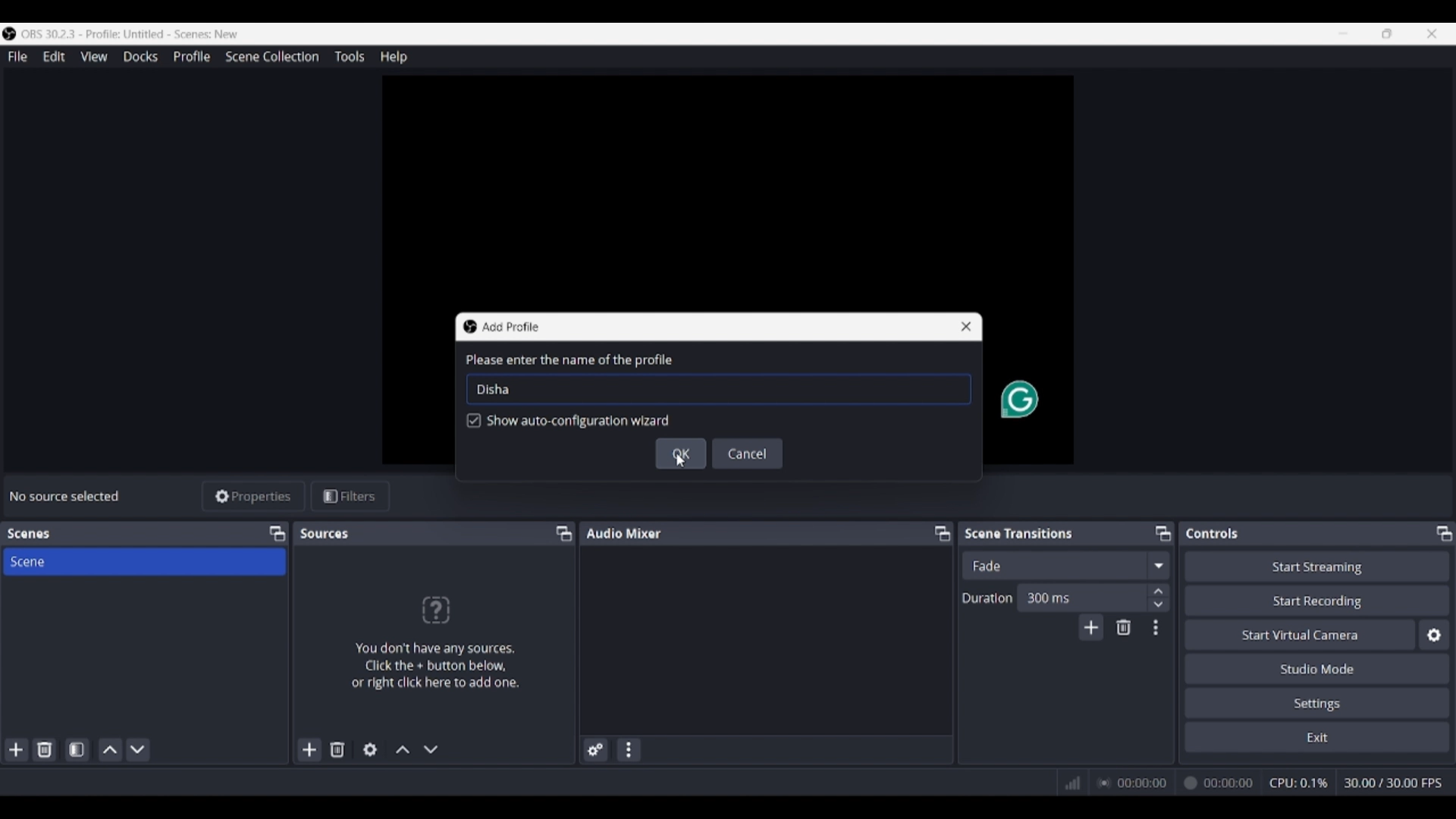 Image resolution: width=1456 pixels, height=819 pixels. Describe the element at coordinates (77, 749) in the screenshot. I see `Open scene filters` at that location.